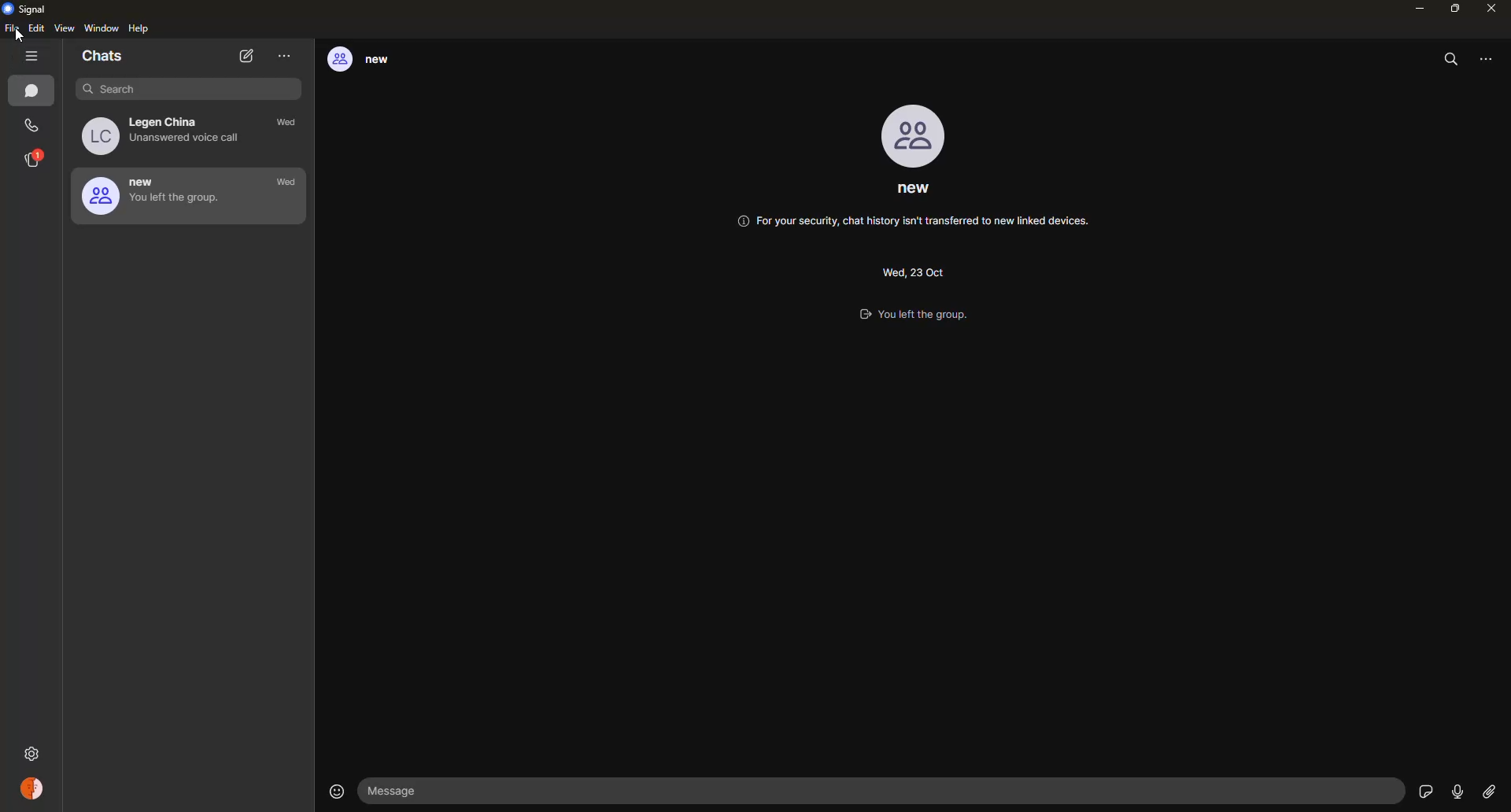 This screenshot has width=1511, height=812. What do you see at coordinates (914, 224) in the screenshot?
I see `For your security, chat history isn't transferred to new linked devices.` at bounding box center [914, 224].